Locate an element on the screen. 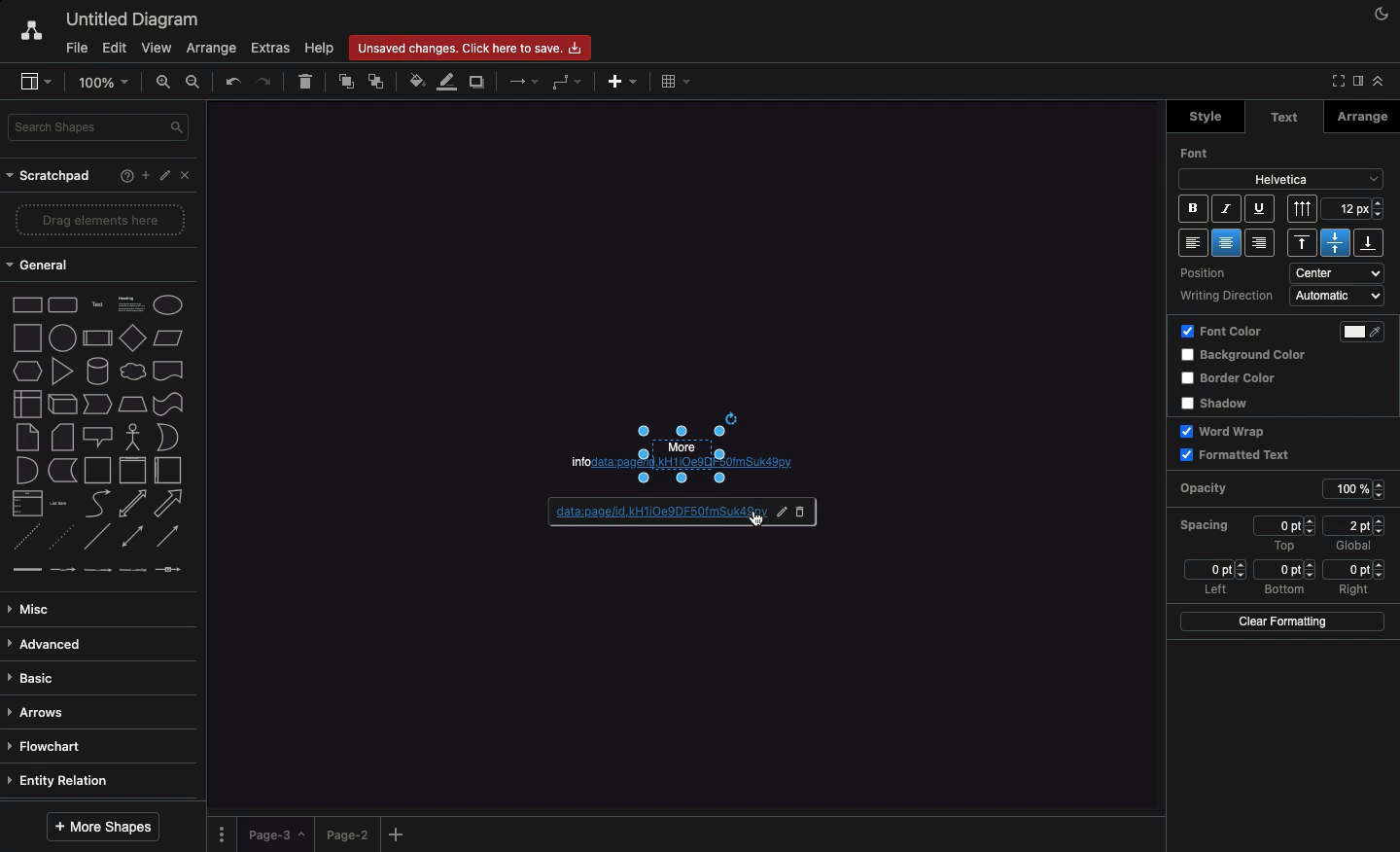  Sidebar is located at coordinates (1356, 82).